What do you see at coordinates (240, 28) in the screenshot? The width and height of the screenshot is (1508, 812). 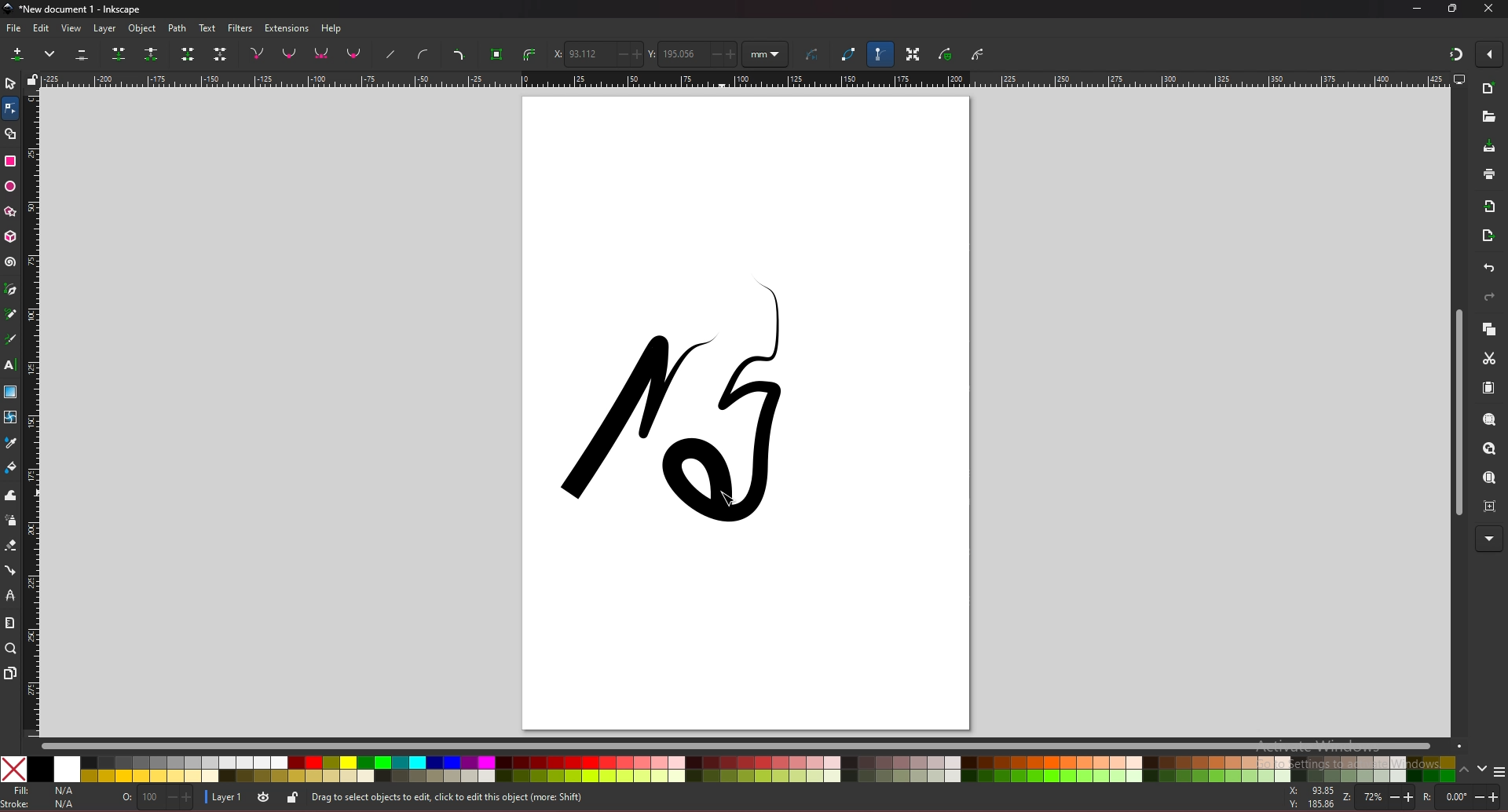 I see `filters` at bounding box center [240, 28].